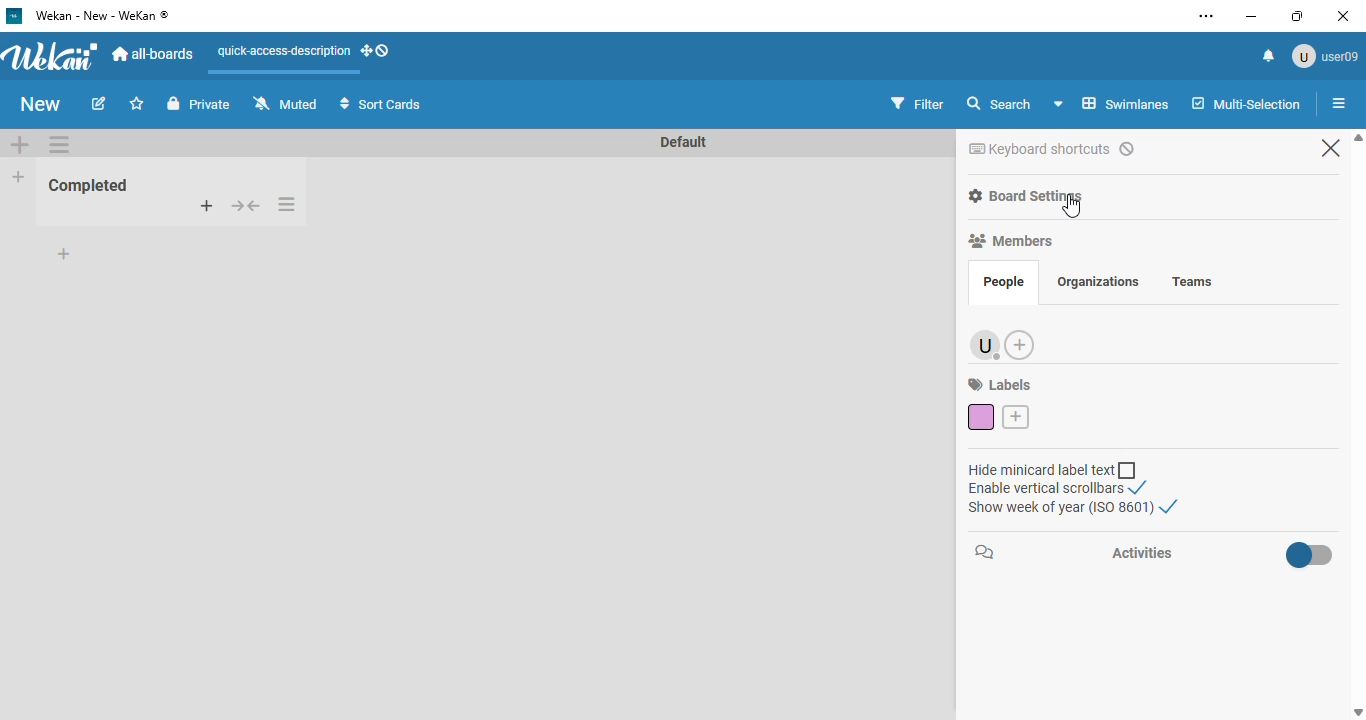 This screenshot has height=720, width=1366. Describe the element at coordinates (19, 177) in the screenshot. I see `add list` at that location.